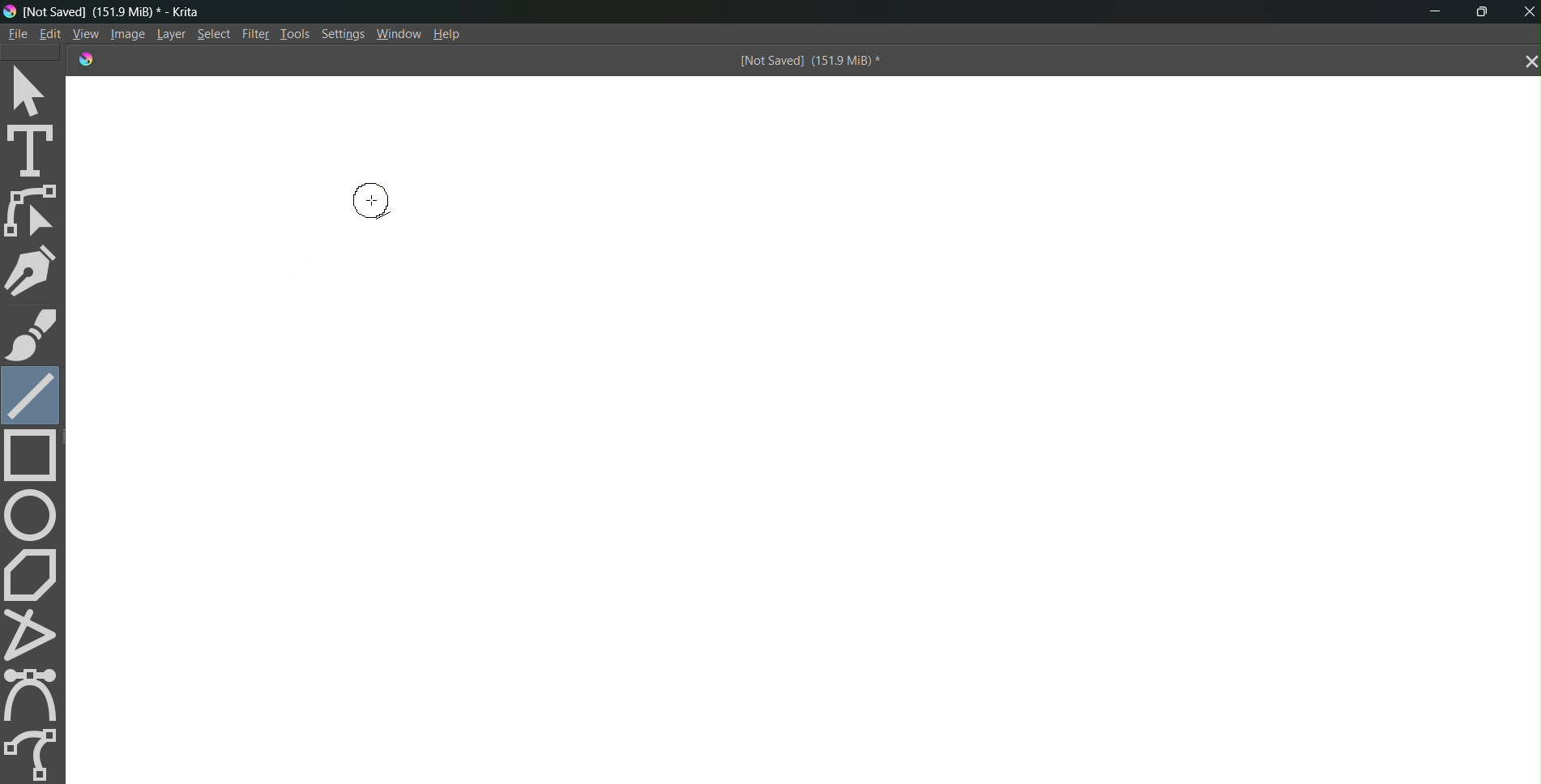 The width and height of the screenshot is (1541, 784). Describe the element at coordinates (83, 58) in the screenshot. I see `logo` at that location.